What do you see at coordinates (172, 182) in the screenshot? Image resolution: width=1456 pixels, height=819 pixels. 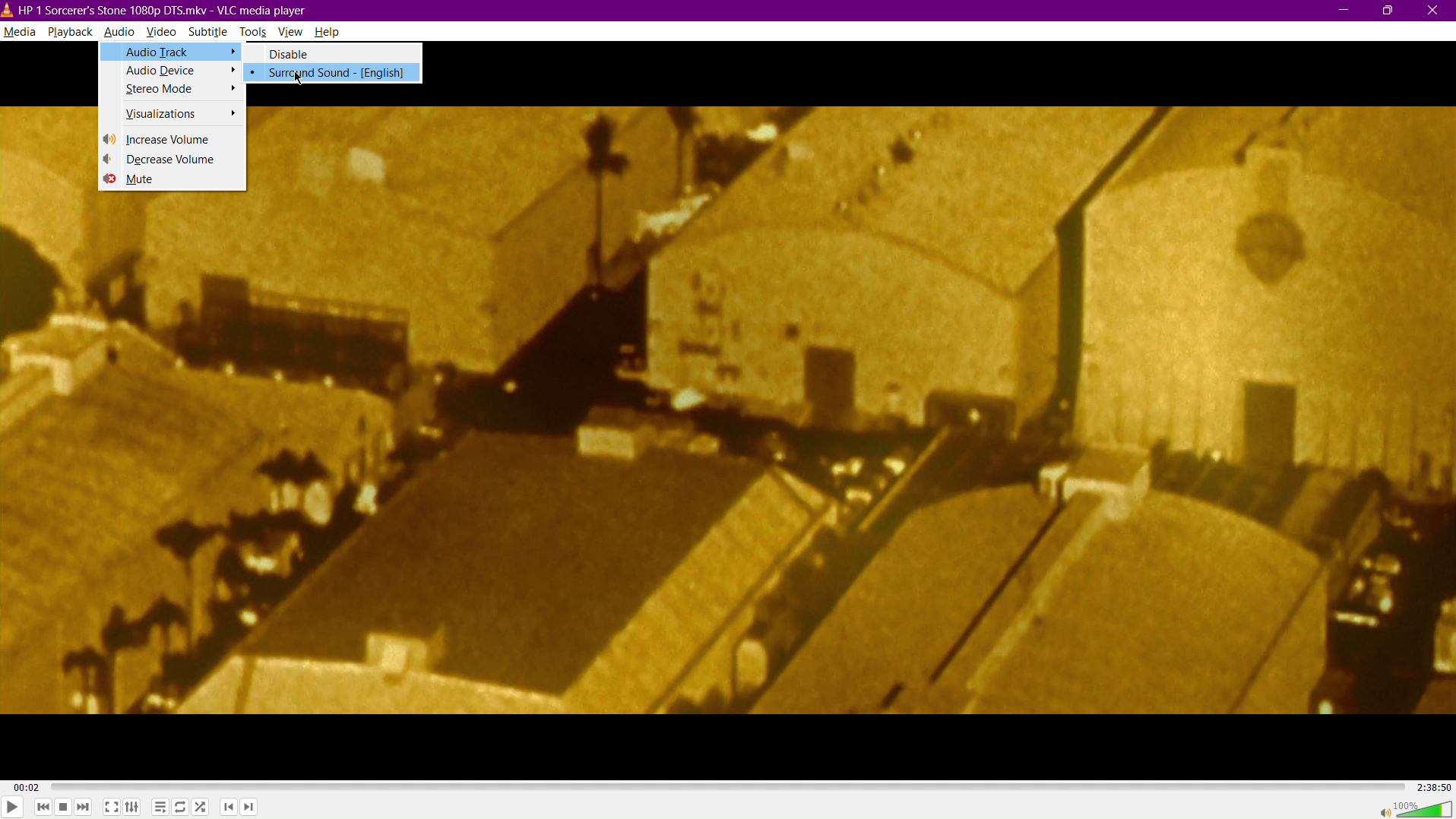 I see `Mute` at bounding box center [172, 182].